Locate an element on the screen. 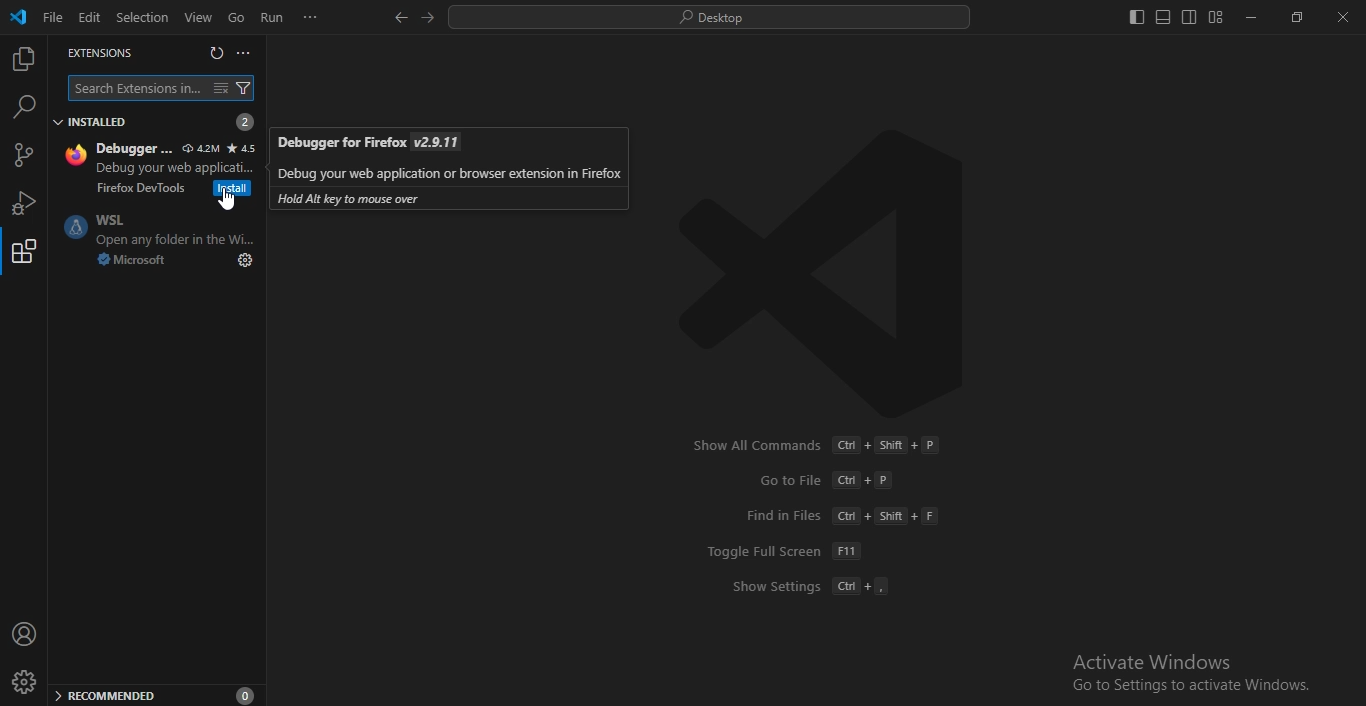 The width and height of the screenshot is (1366, 706). extensions is located at coordinates (24, 257).